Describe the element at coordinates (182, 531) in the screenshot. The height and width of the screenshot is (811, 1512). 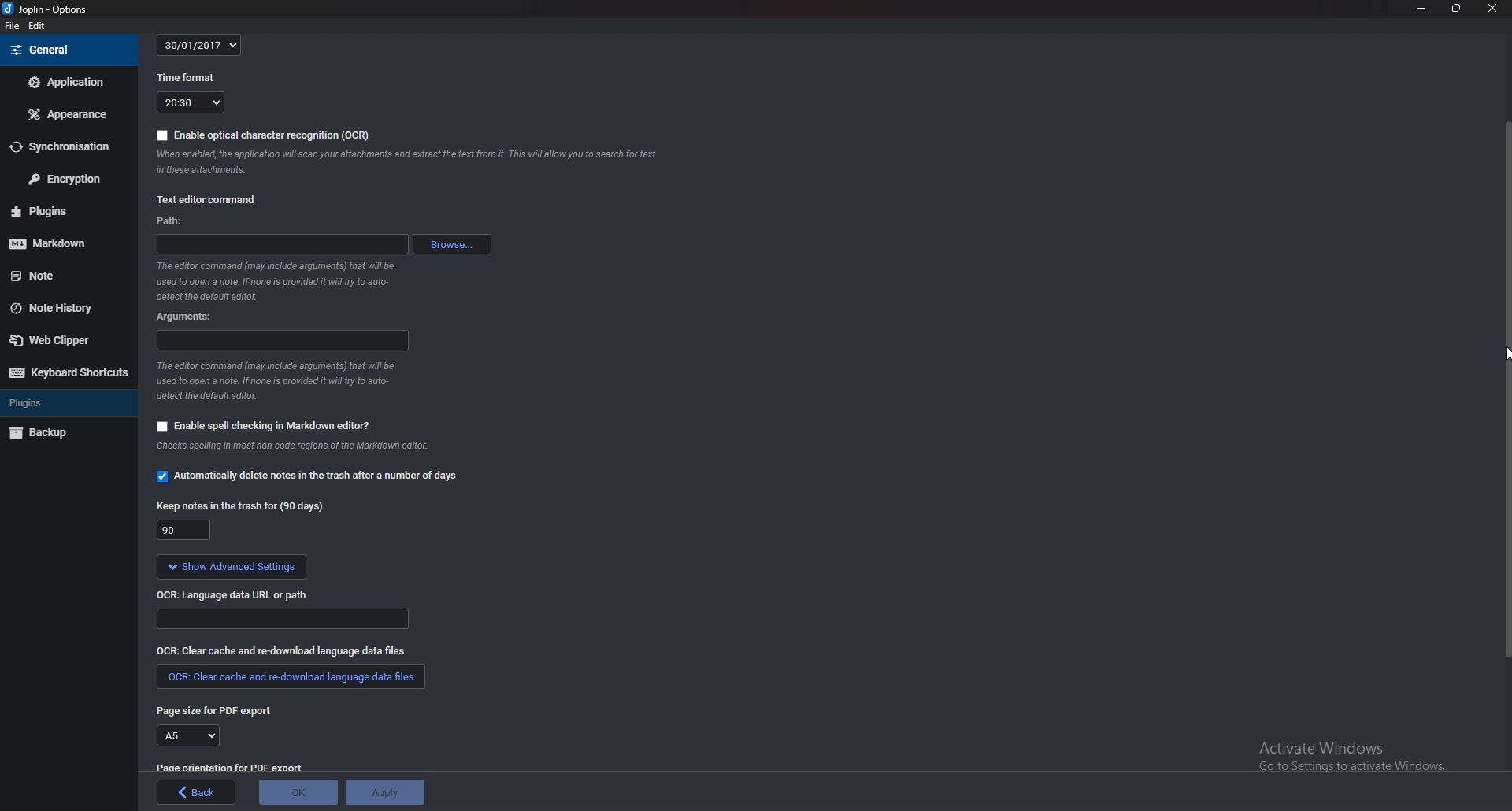
I see `90 days` at that location.